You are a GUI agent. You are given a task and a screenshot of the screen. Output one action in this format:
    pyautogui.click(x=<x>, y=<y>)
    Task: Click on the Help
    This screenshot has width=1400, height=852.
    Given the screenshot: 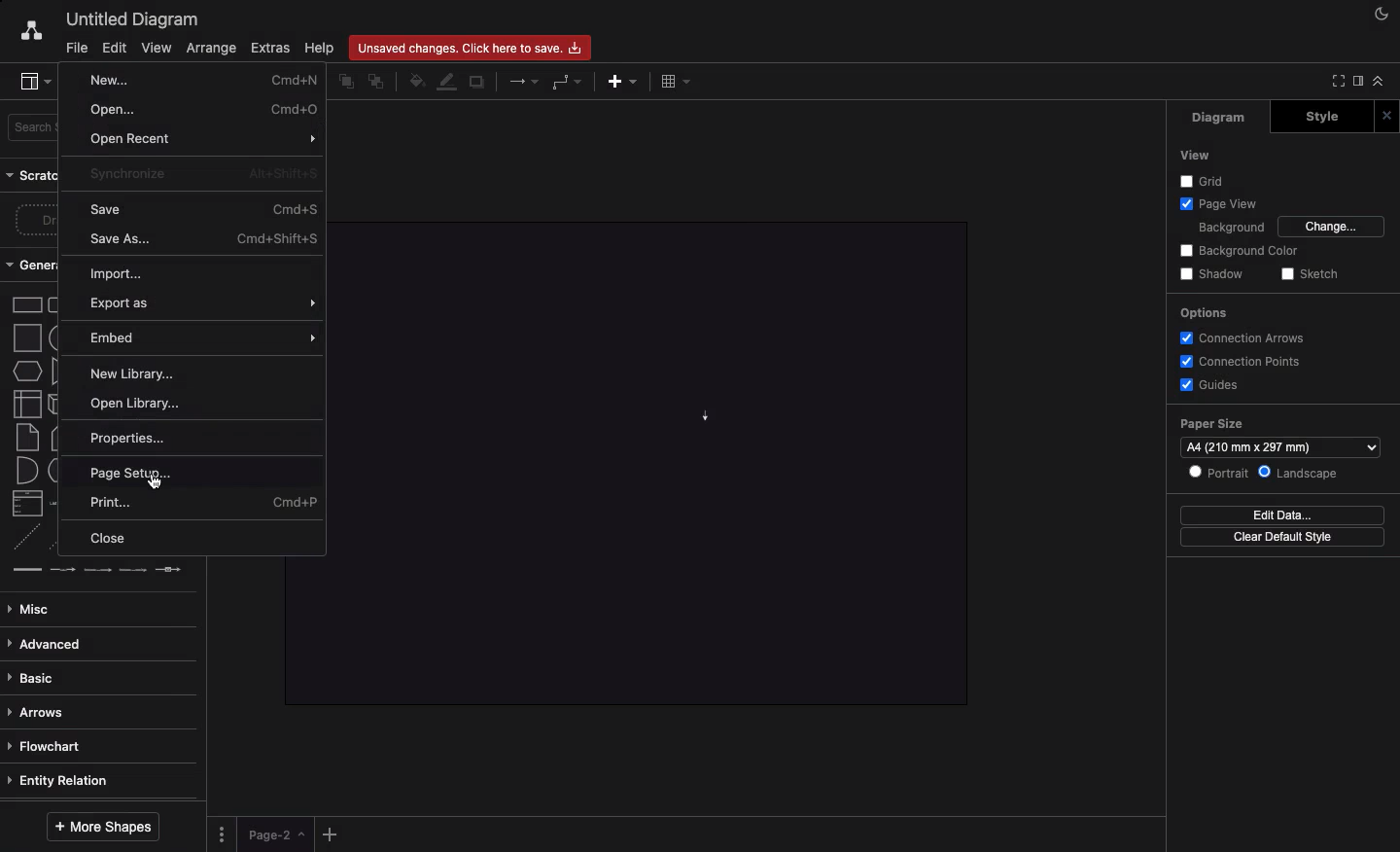 What is the action you would take?
    pyautogui.click(x=322, y=48)
    